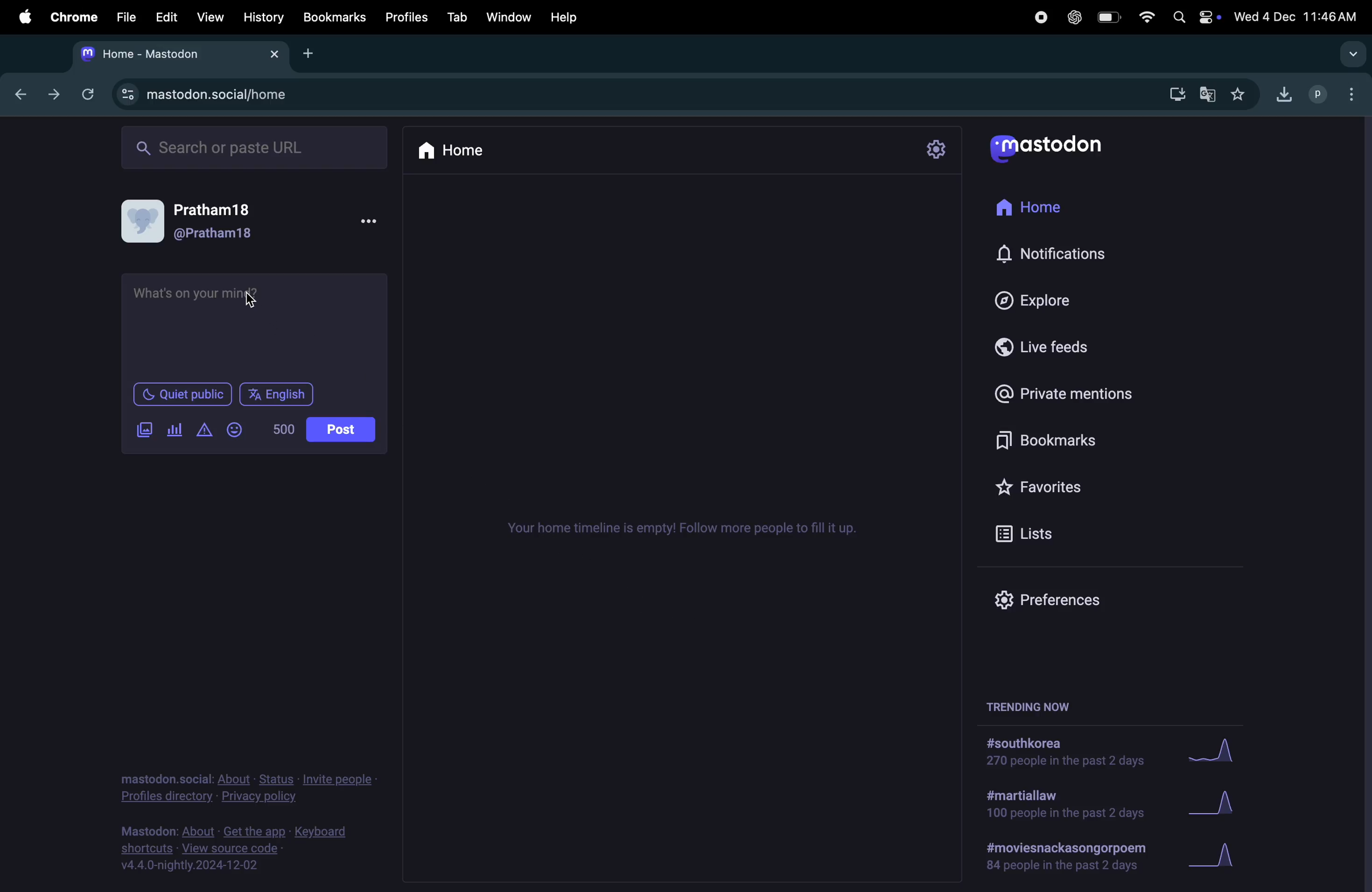 The width and height of the screenshot is (1372, 892). What do you see at coordinates (506, 18) in the screenshot?
I see `Window` at bounding box center [506, 18].